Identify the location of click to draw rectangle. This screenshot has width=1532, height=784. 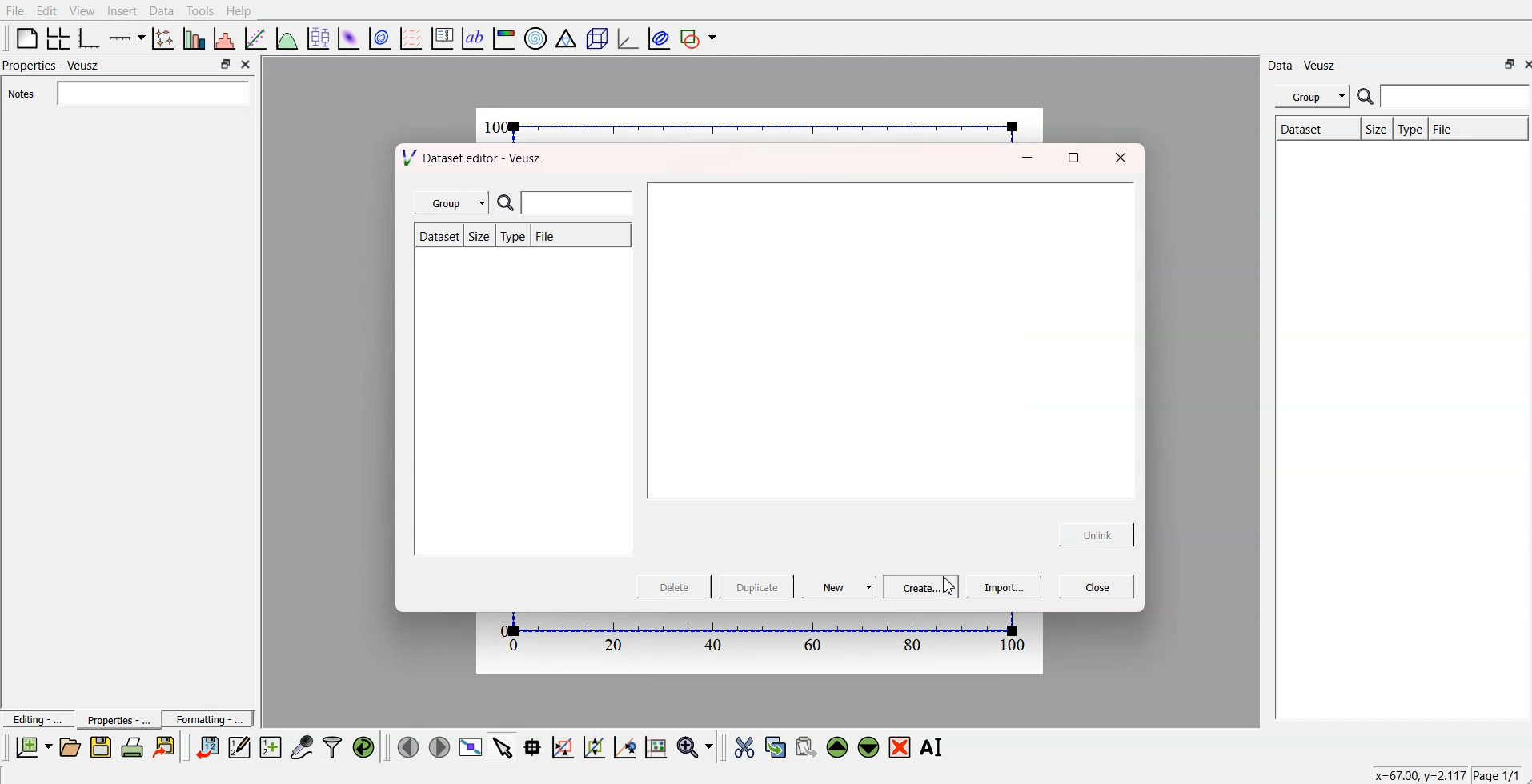
(563, 746).